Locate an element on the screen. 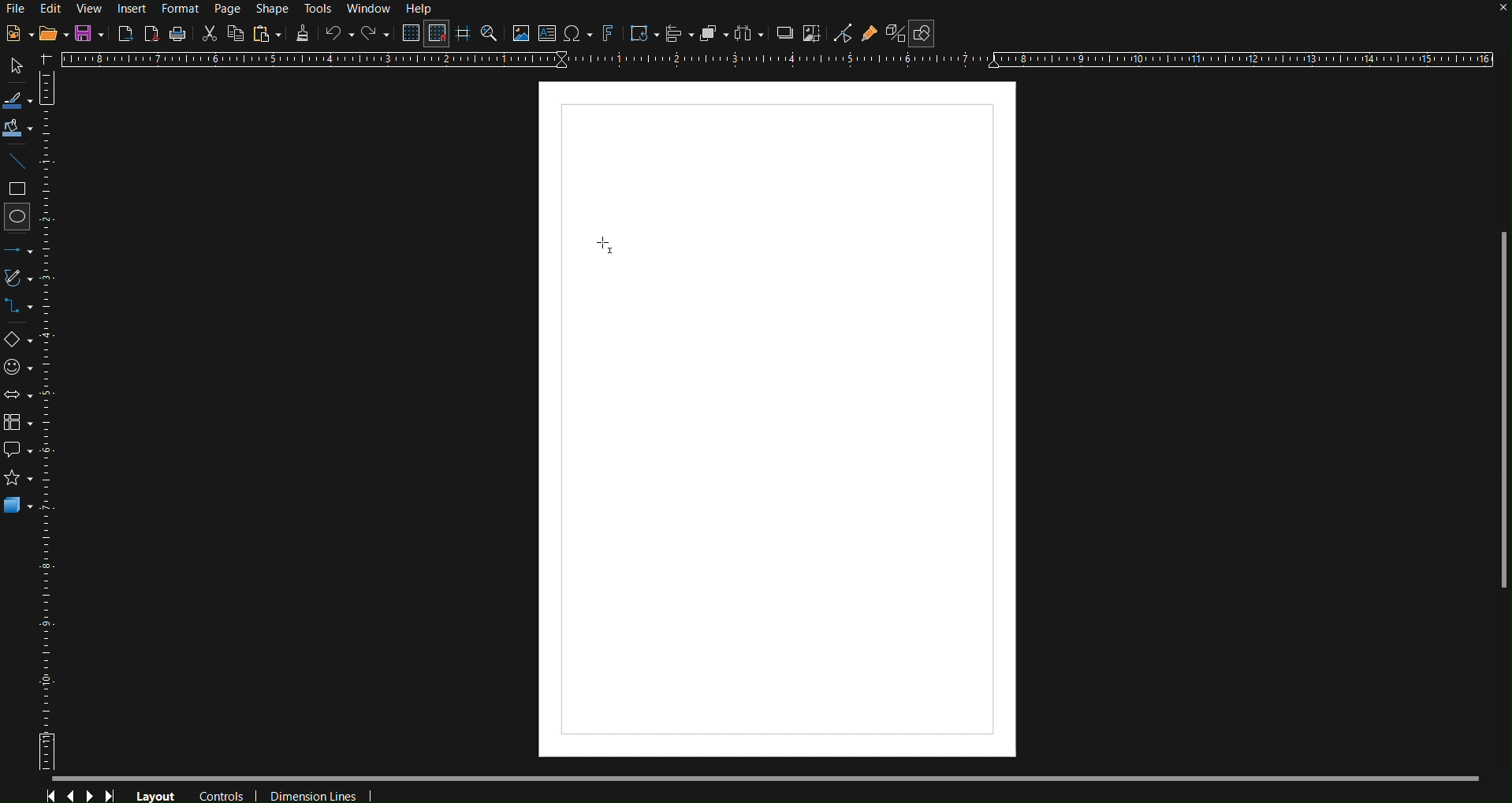 The image size is (1512, 803). Arrange is located at coordinates (713, 35).